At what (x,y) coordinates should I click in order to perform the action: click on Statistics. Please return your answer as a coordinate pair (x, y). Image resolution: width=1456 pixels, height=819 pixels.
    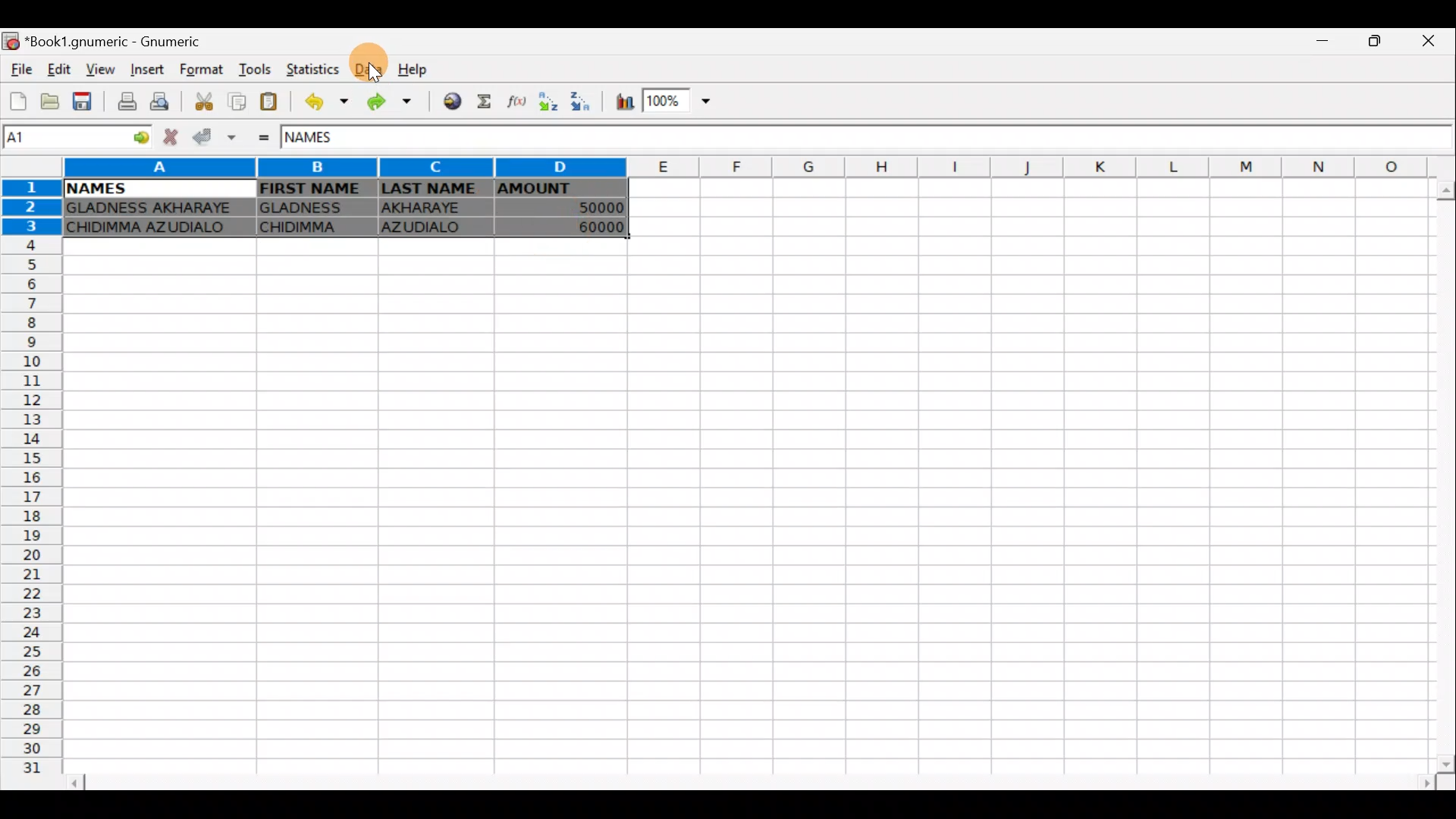
    Looking at the image, I should click on (314, 71).